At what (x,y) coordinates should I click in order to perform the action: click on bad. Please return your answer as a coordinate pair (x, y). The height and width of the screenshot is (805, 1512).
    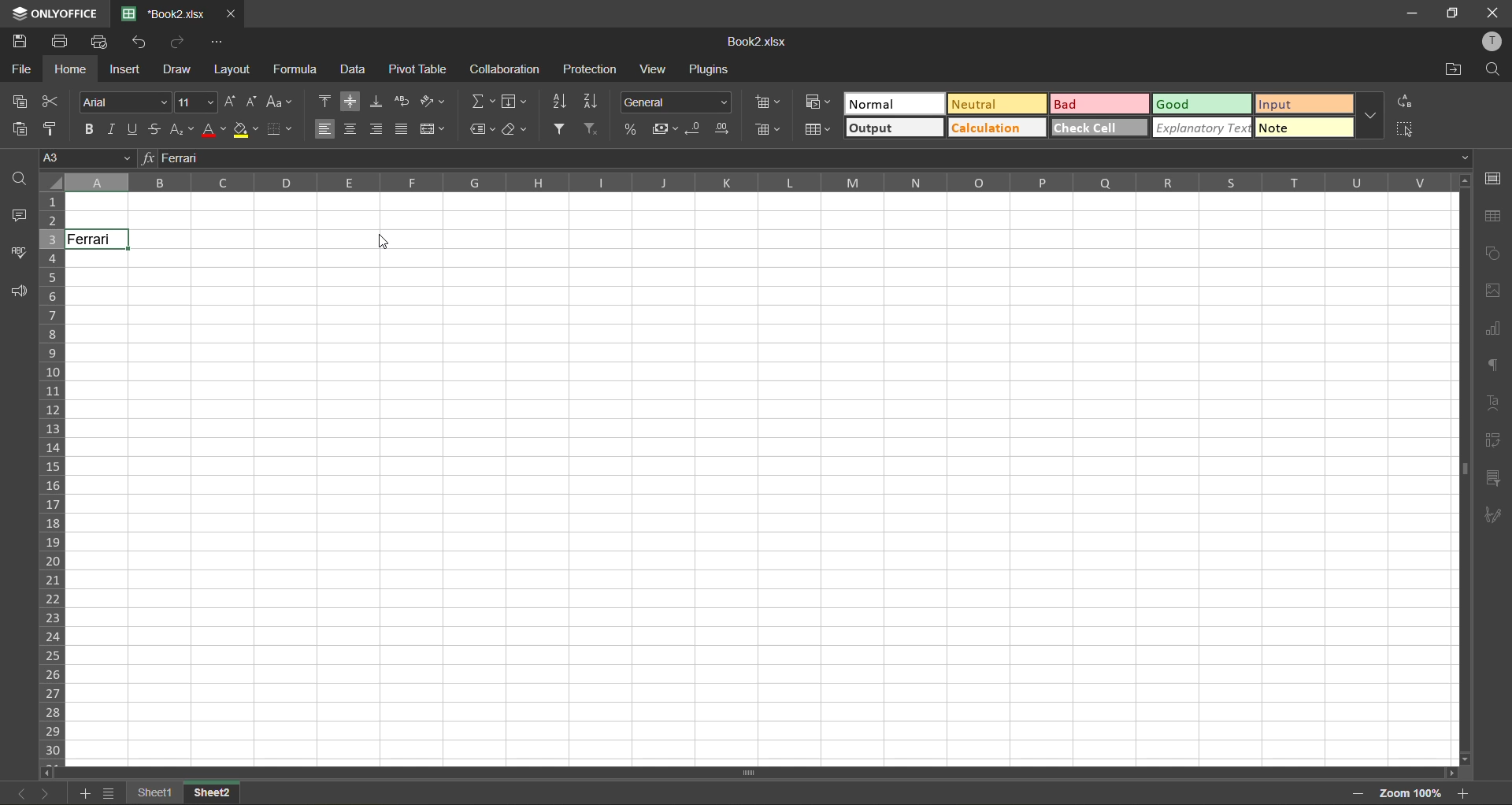
    Looking at the image, I should click on (1099, 103).